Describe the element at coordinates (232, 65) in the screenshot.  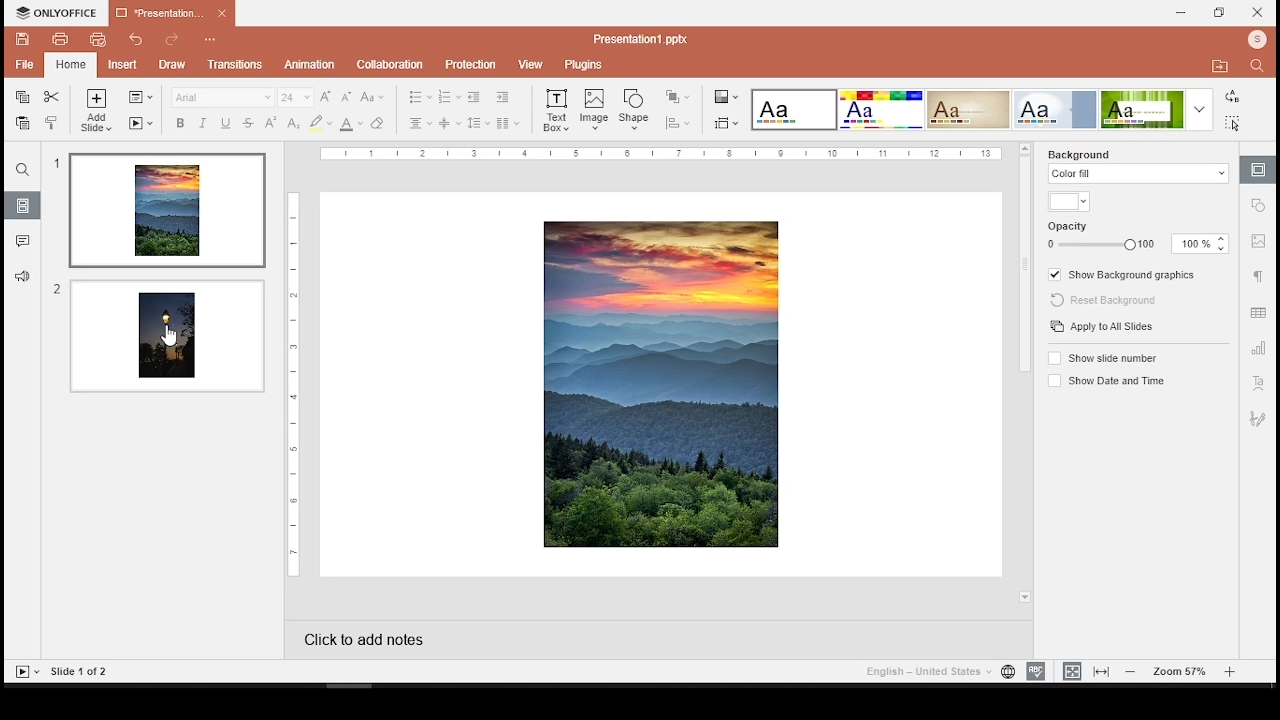
I see `transition` at that location.